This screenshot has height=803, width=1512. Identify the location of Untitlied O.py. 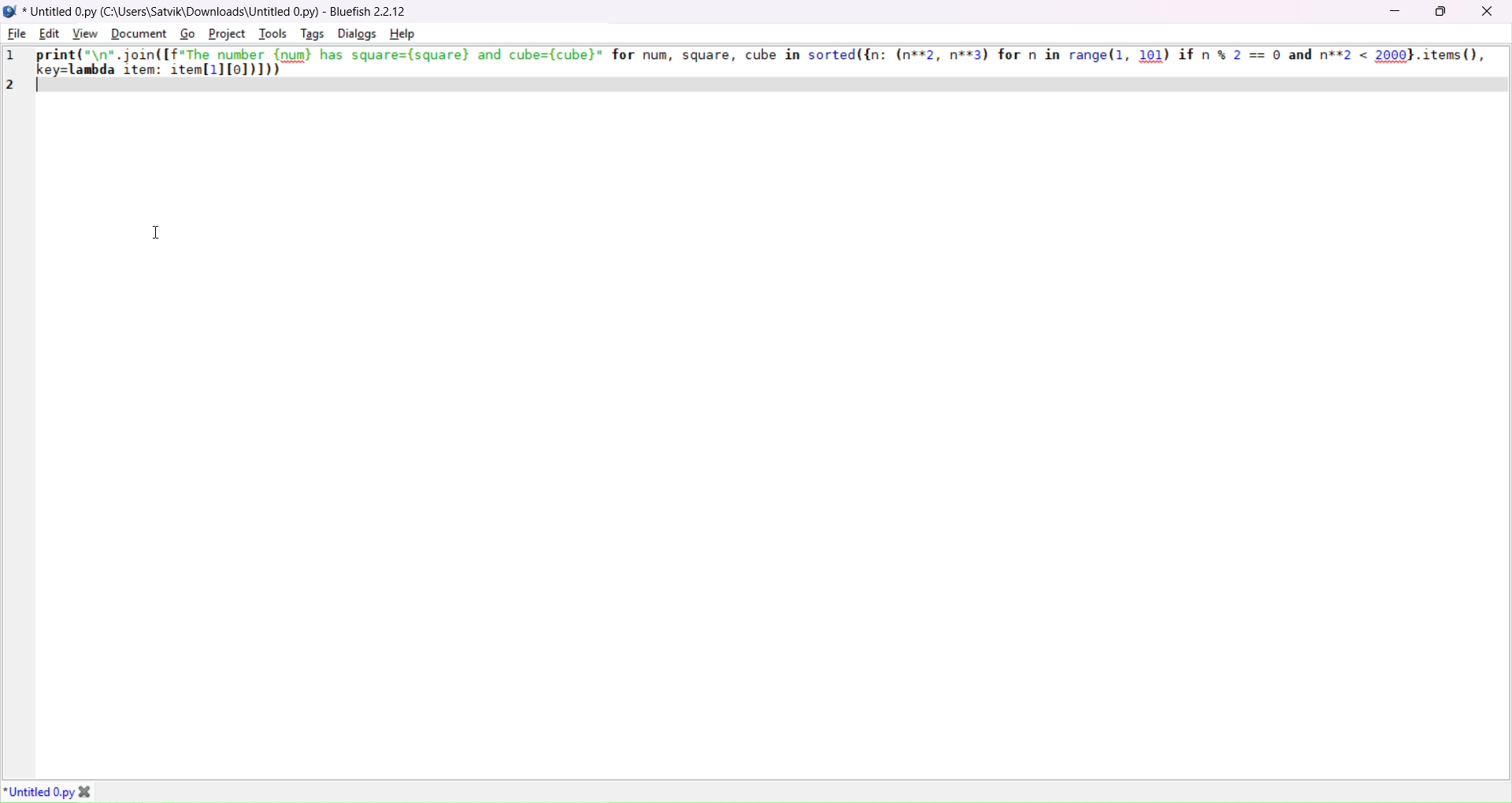
(39, 793).